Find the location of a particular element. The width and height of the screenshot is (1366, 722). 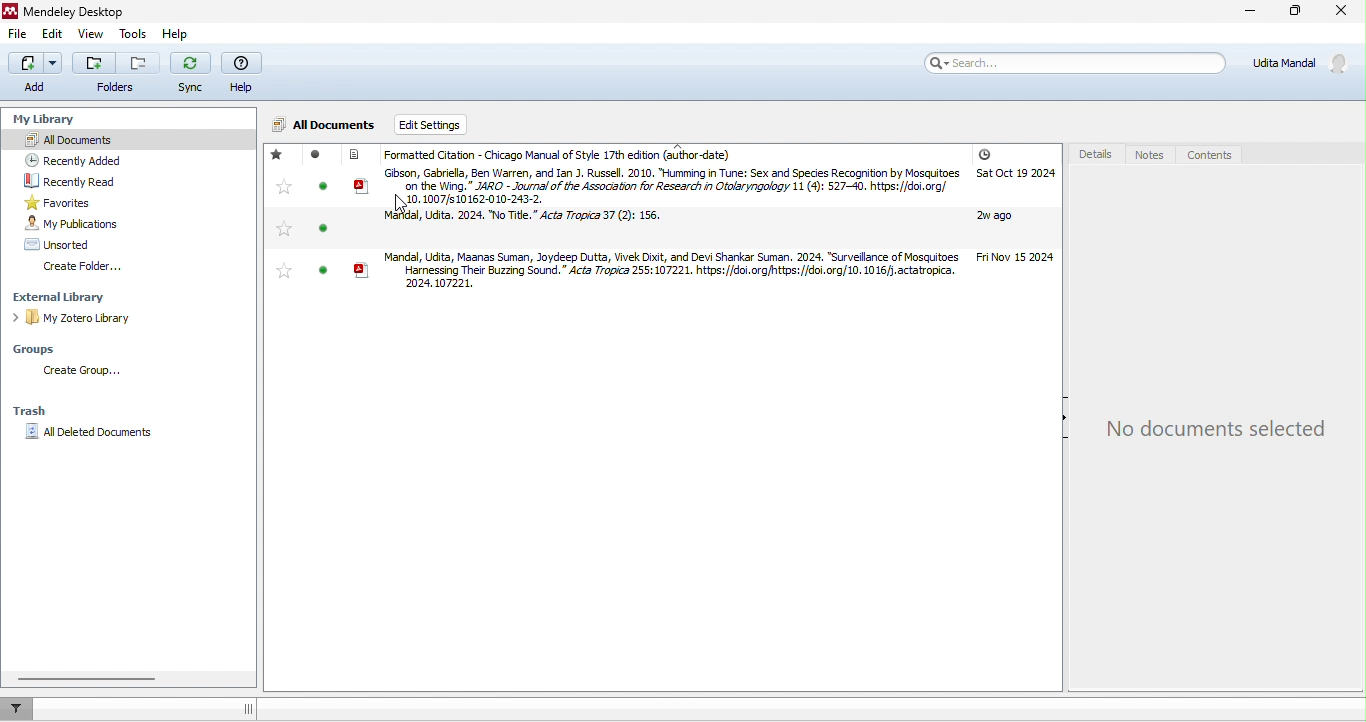

recently read is located at coordinates (80, 180).